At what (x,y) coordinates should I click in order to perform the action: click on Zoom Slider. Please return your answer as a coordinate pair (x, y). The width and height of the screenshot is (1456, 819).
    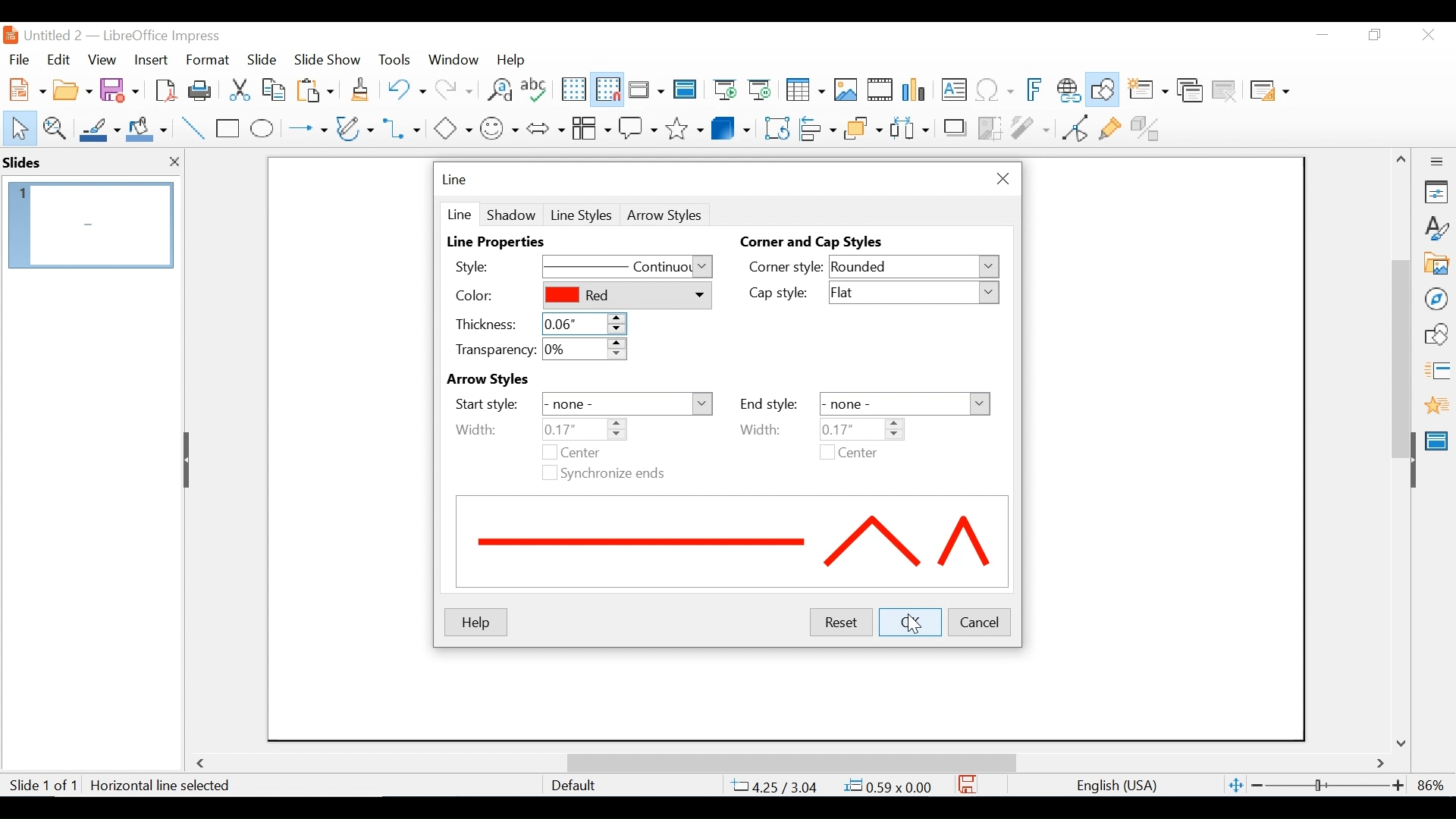
    Looking at the image, I should click on (1326, 786).